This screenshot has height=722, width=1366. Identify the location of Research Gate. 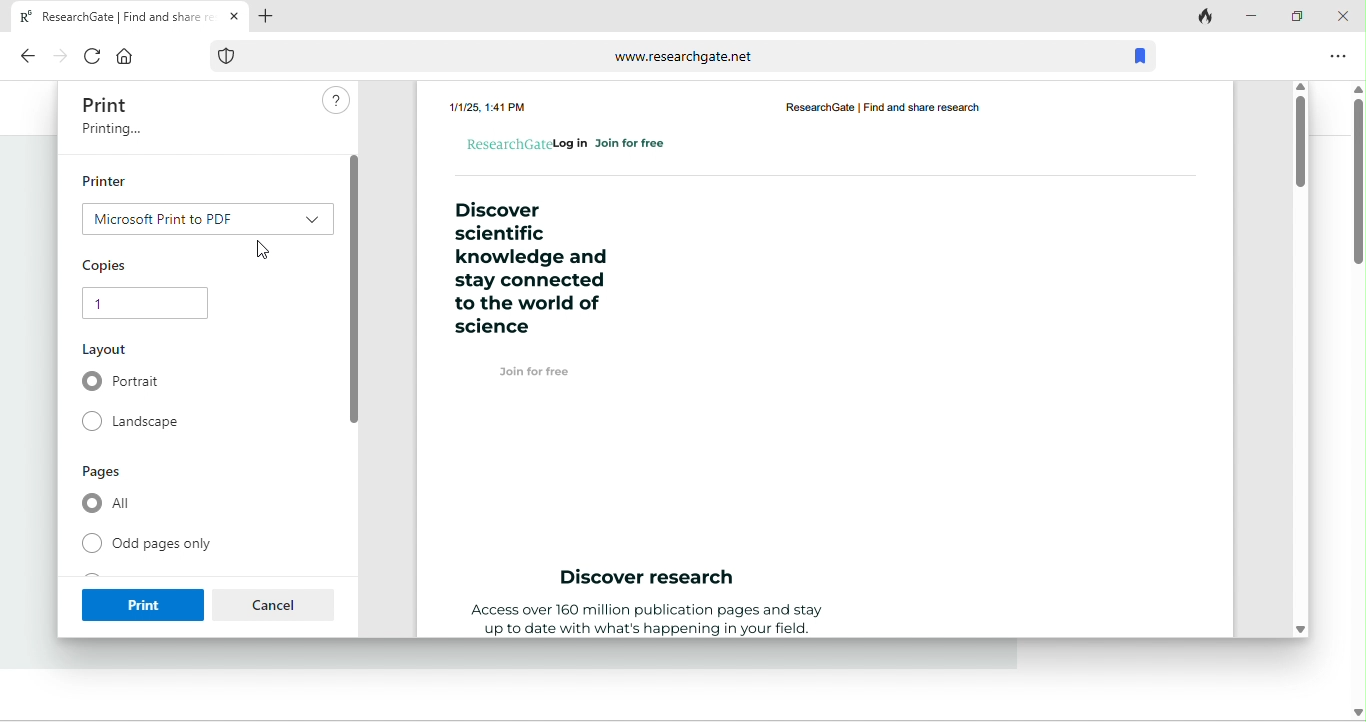
(507, 142).